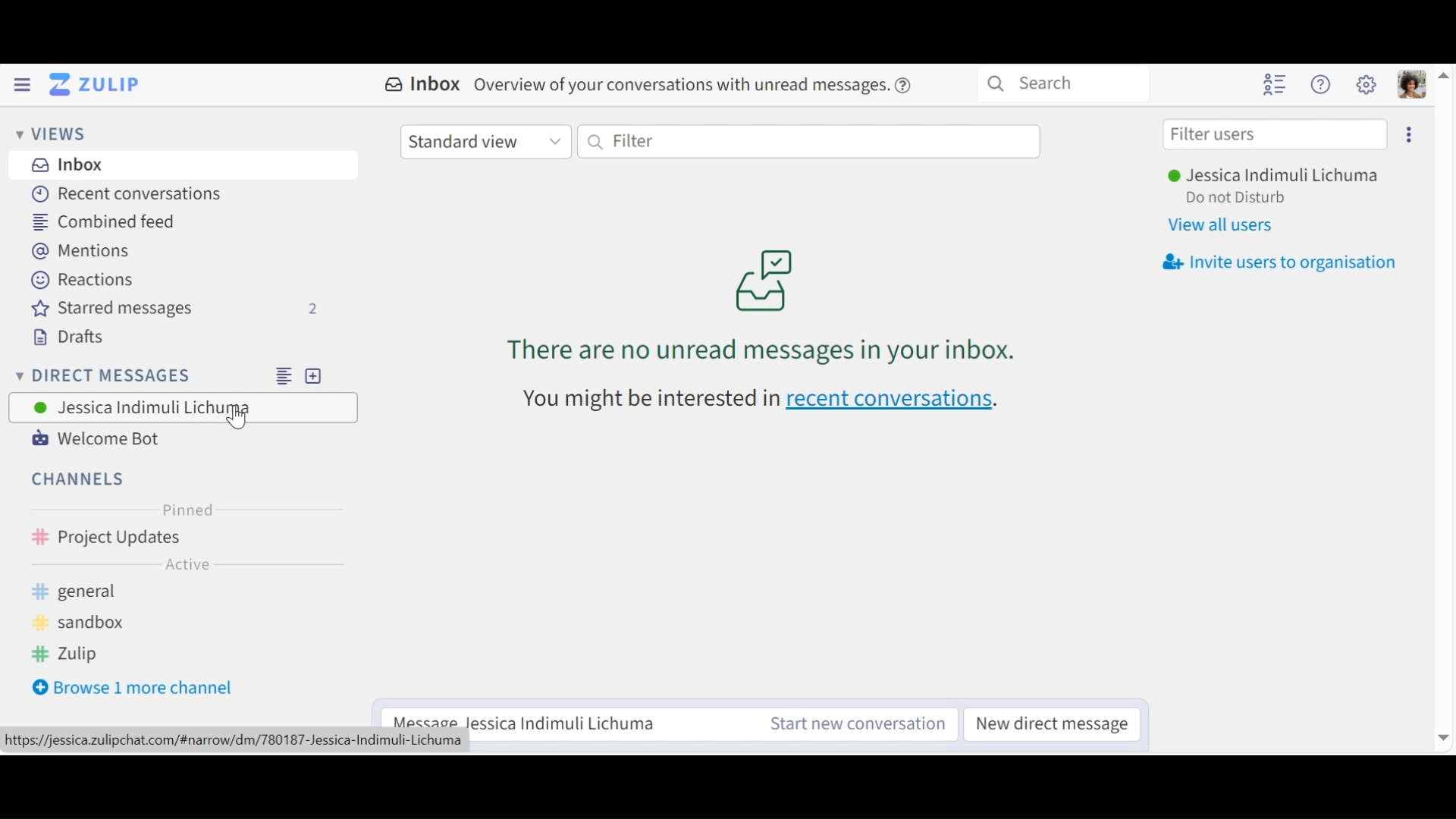  I want to click on Hide Left Sidebar, so click(21, 83).